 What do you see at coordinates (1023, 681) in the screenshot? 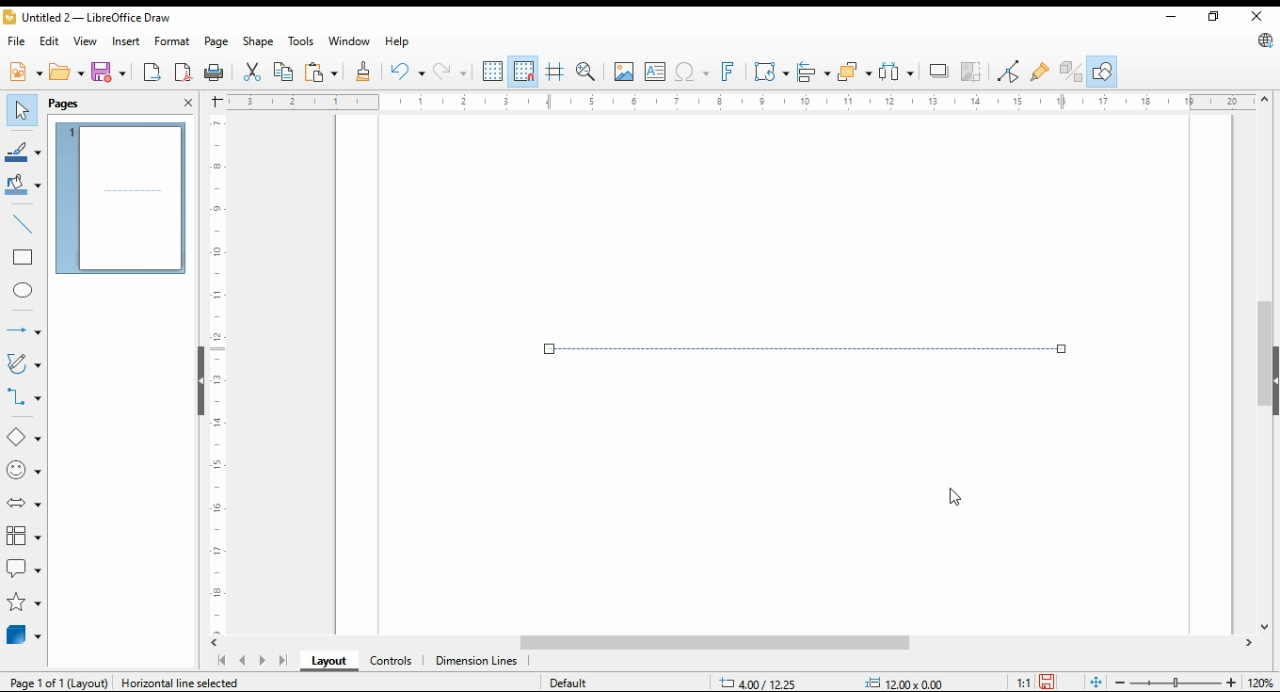
I see `1:1` at bounding box center [1023, 681].